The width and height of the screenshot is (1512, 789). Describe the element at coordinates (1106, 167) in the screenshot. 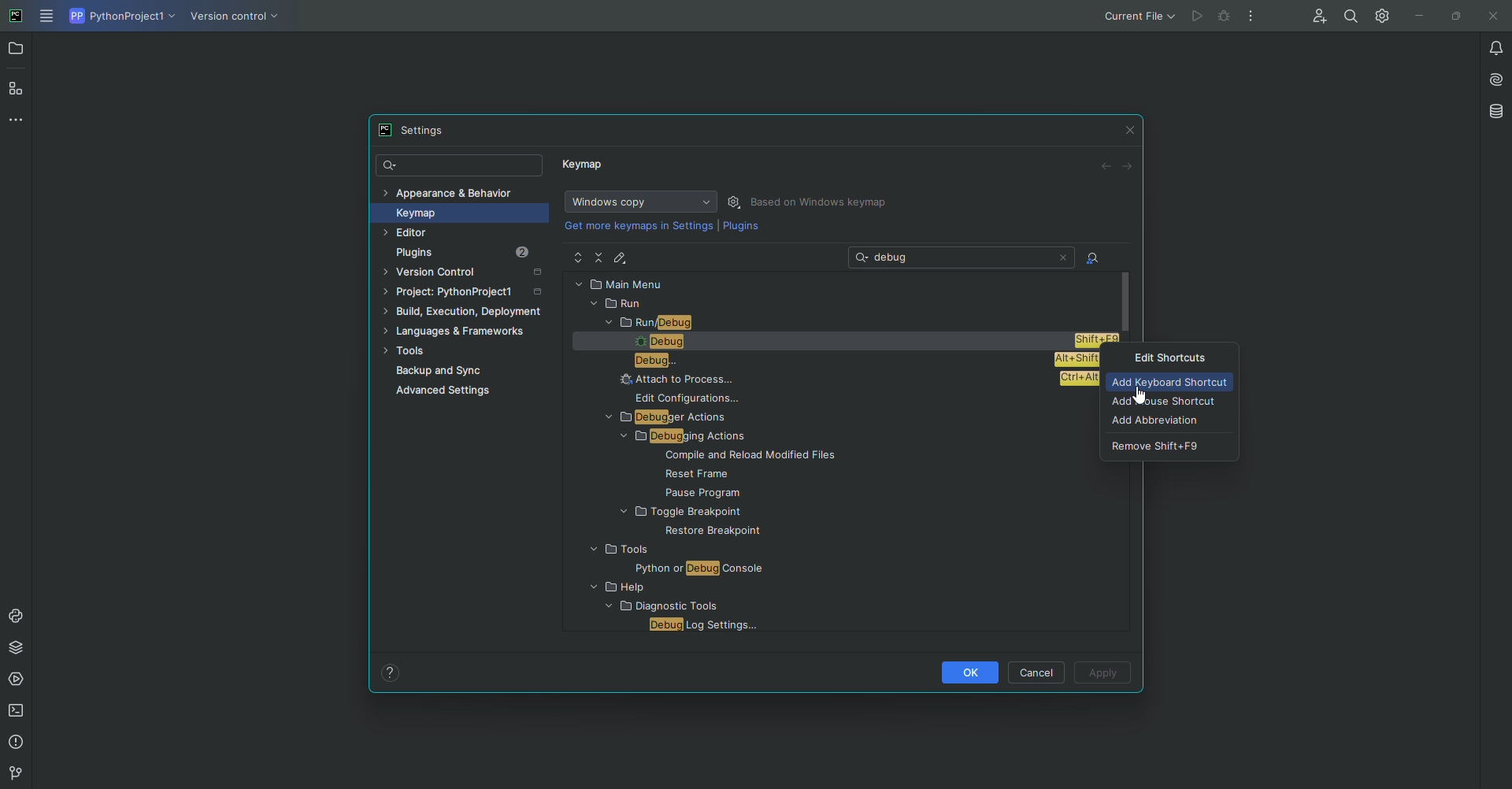

I see `Back` at that location.